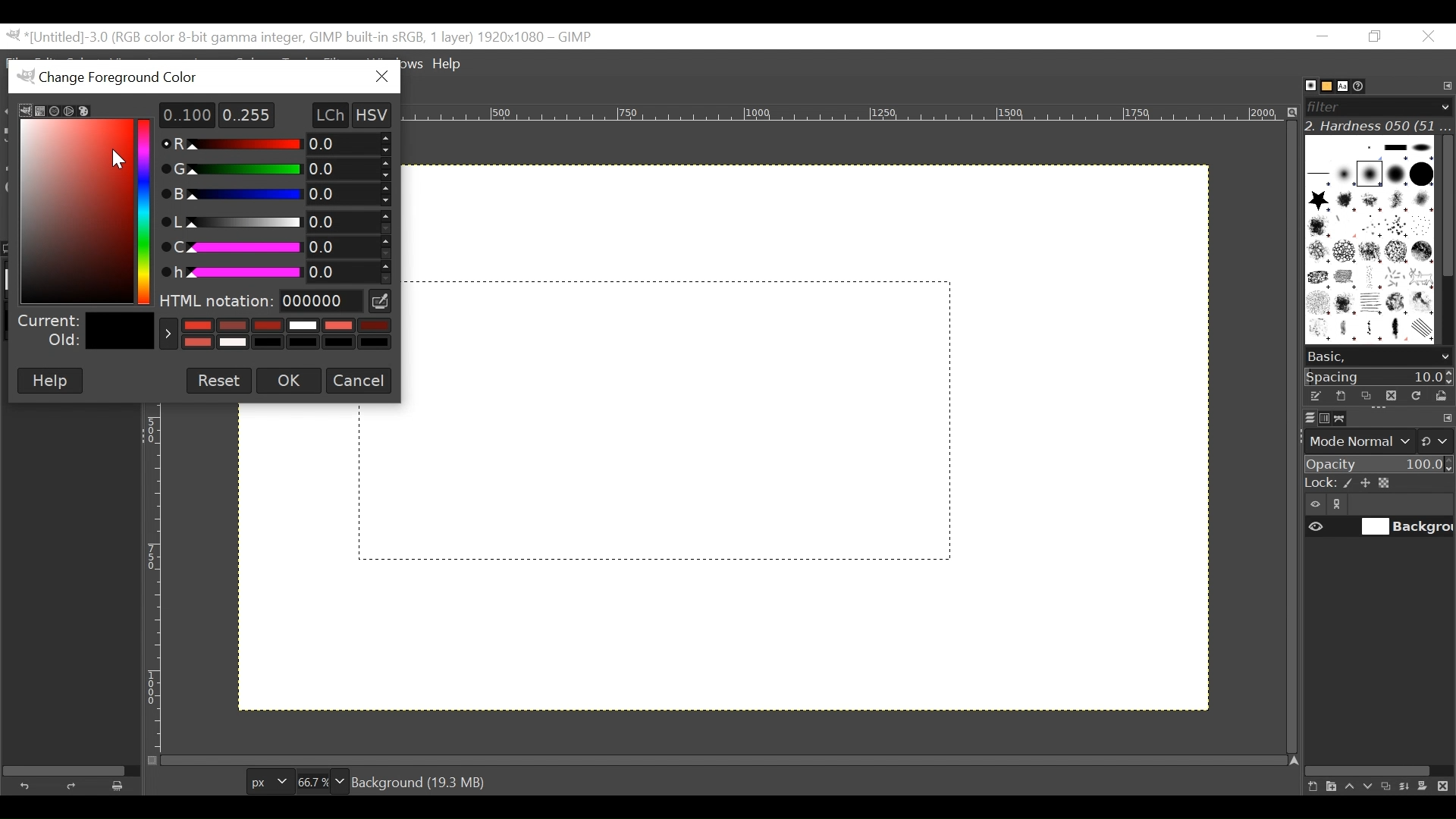 This screenshot has width=1456, height=819. What do you see at coordinates (1364, 85) in the screenshot?
I see `Document History` at bounding box center [1364, 85].